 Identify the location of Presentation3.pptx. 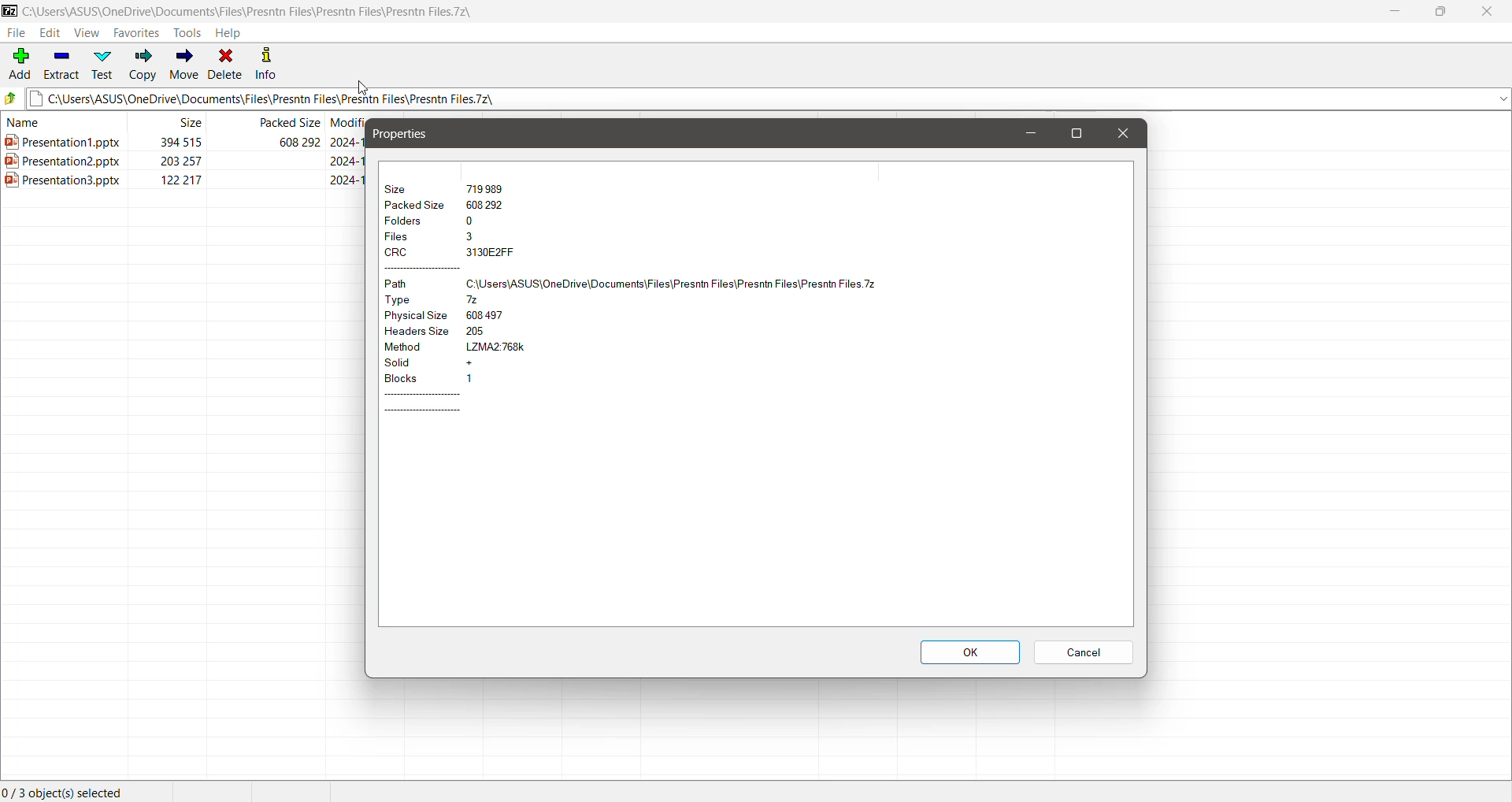
(68, 184).